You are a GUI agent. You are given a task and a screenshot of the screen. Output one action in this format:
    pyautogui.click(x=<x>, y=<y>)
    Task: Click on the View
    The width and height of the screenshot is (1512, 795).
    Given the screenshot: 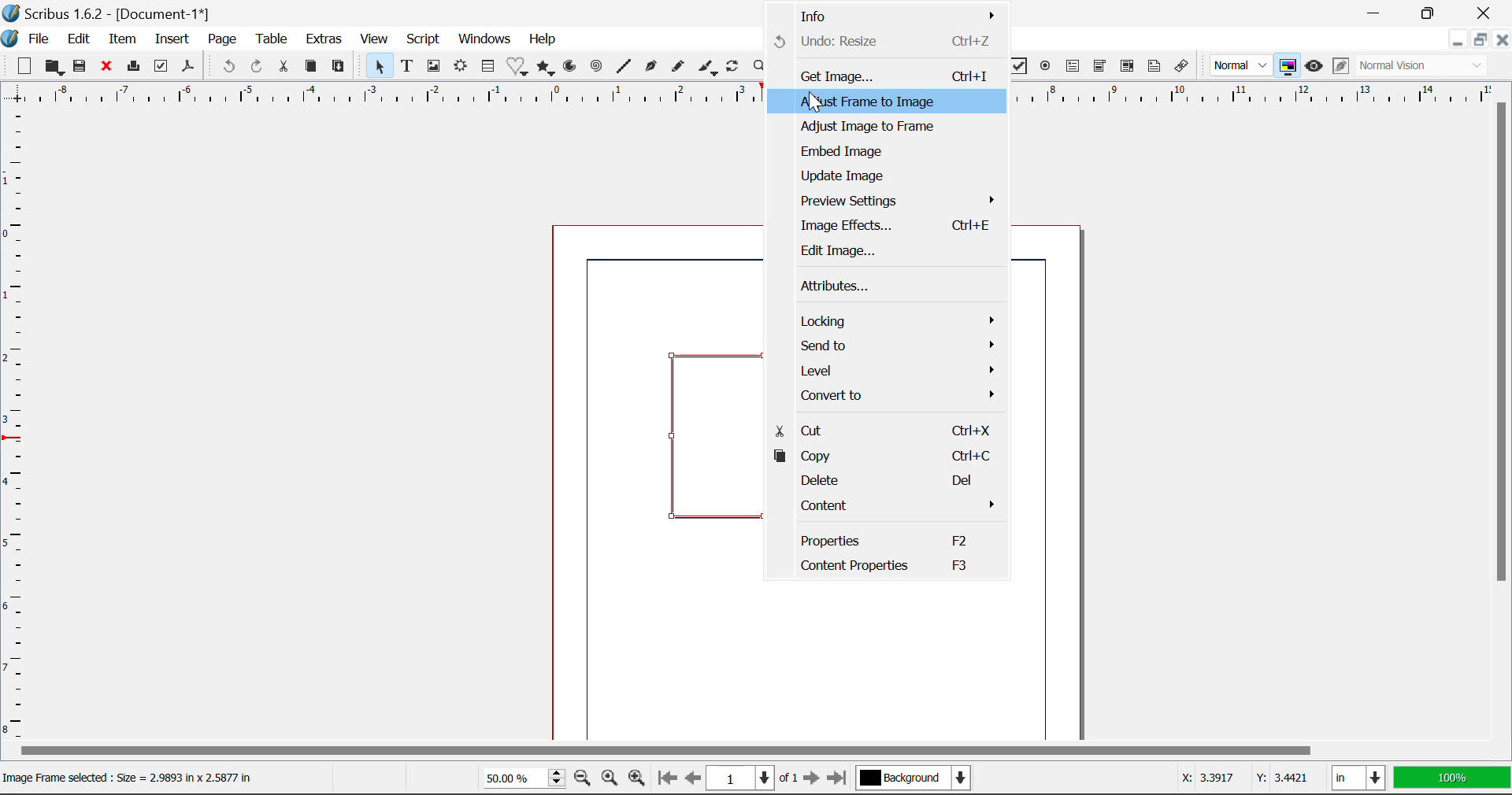 What is the action you would take?
    pyautogui.click(x=373, y=39)
    